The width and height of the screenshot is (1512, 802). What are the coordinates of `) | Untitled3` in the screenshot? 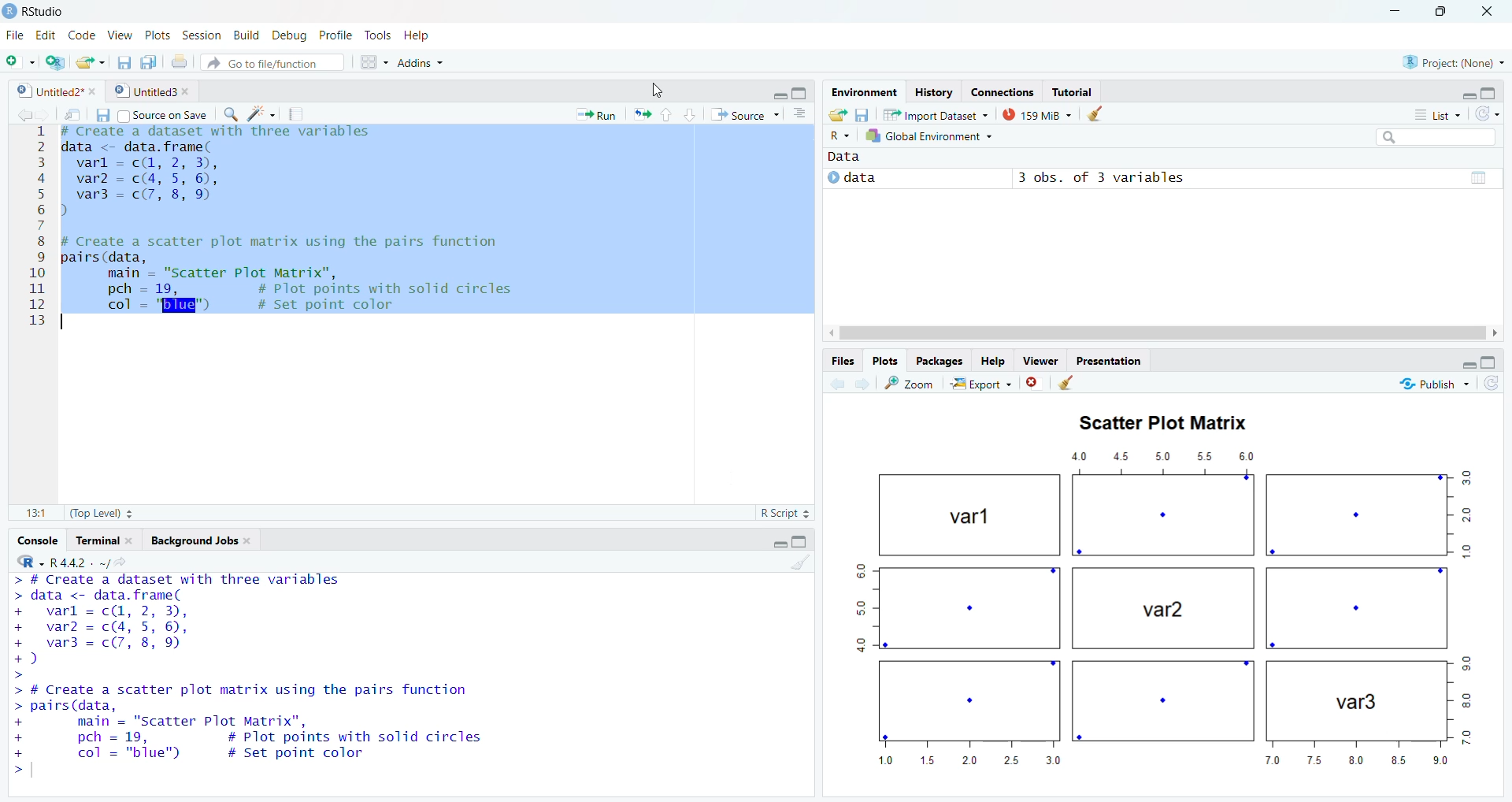 It's located at (154, 91).